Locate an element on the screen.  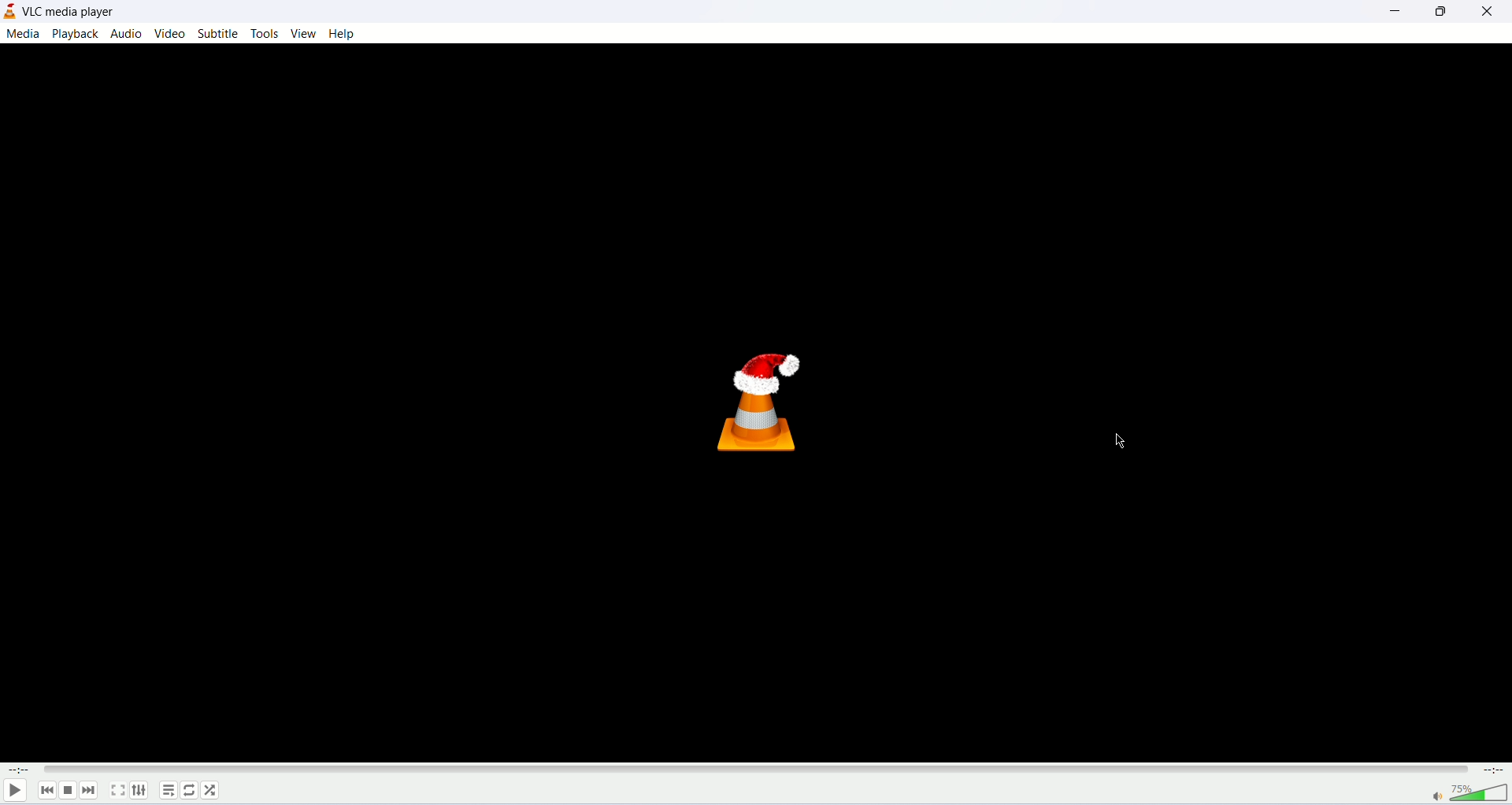
play/pause is located at coordinates (16, 792).